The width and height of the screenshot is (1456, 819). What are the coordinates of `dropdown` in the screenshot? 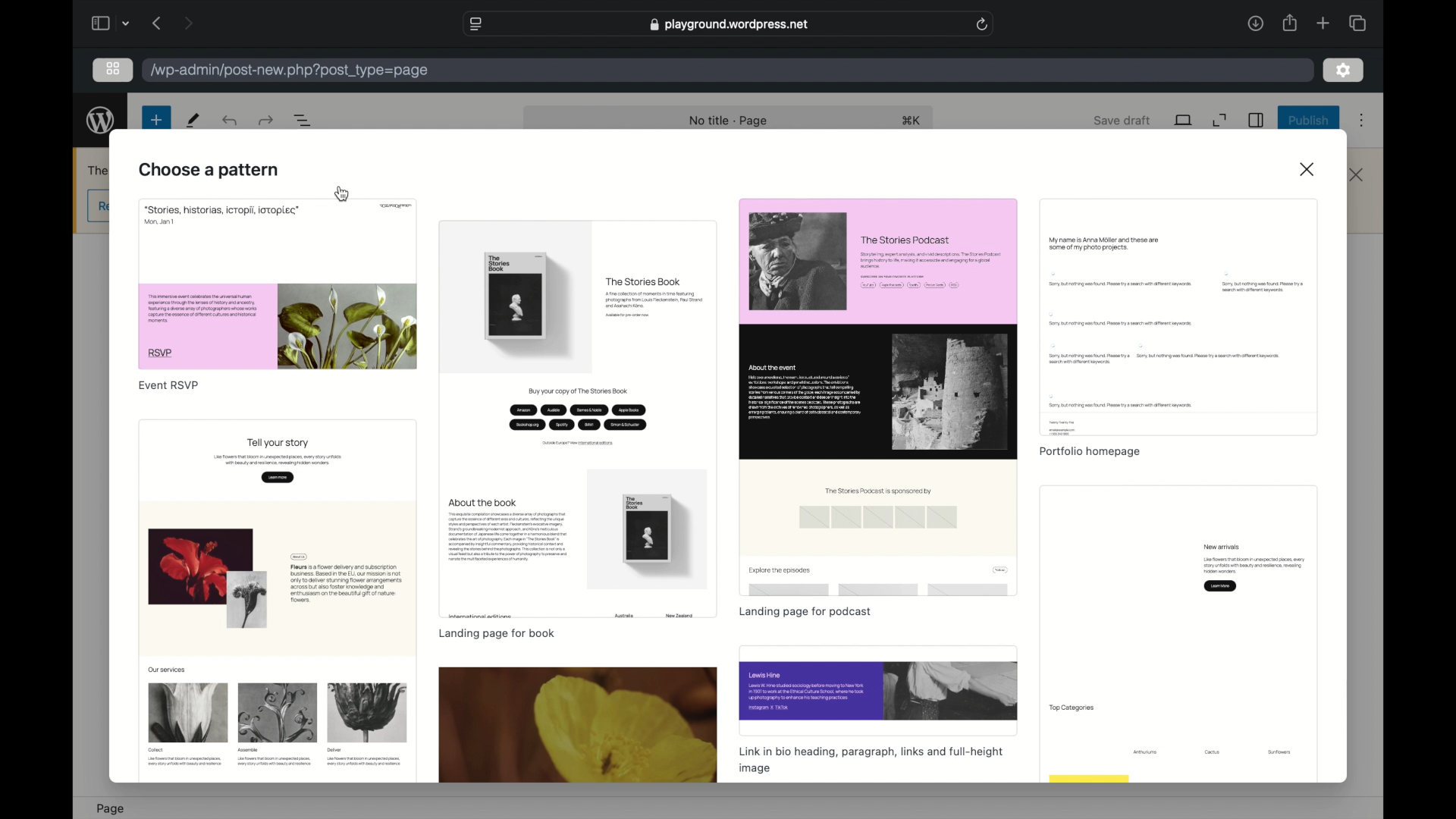 It's located at (127, 24).